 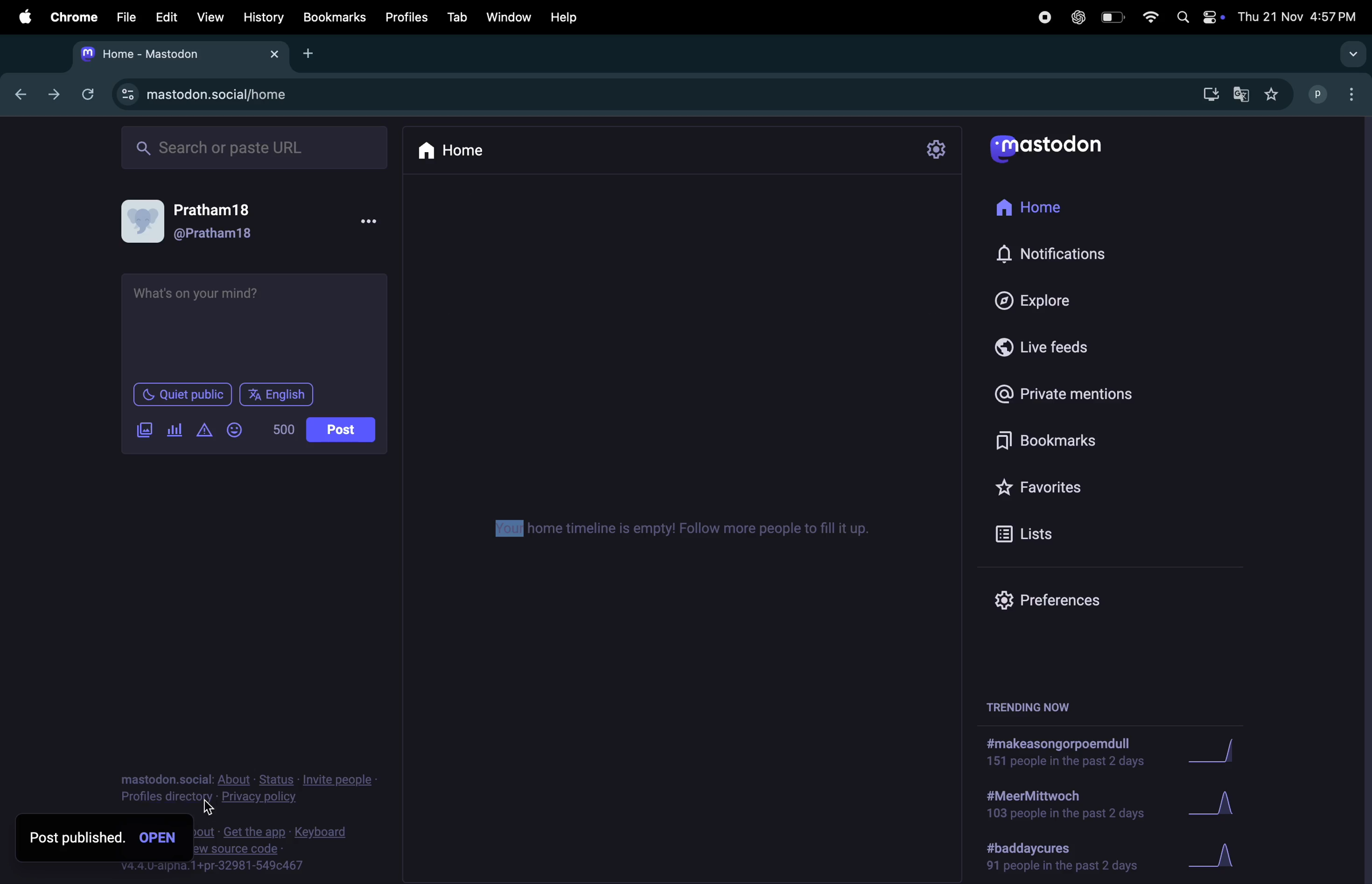 What do you see at coordinates (1075, 17) in the screenshot?
I see `chatgpt` at bounding box center [1075, 17].